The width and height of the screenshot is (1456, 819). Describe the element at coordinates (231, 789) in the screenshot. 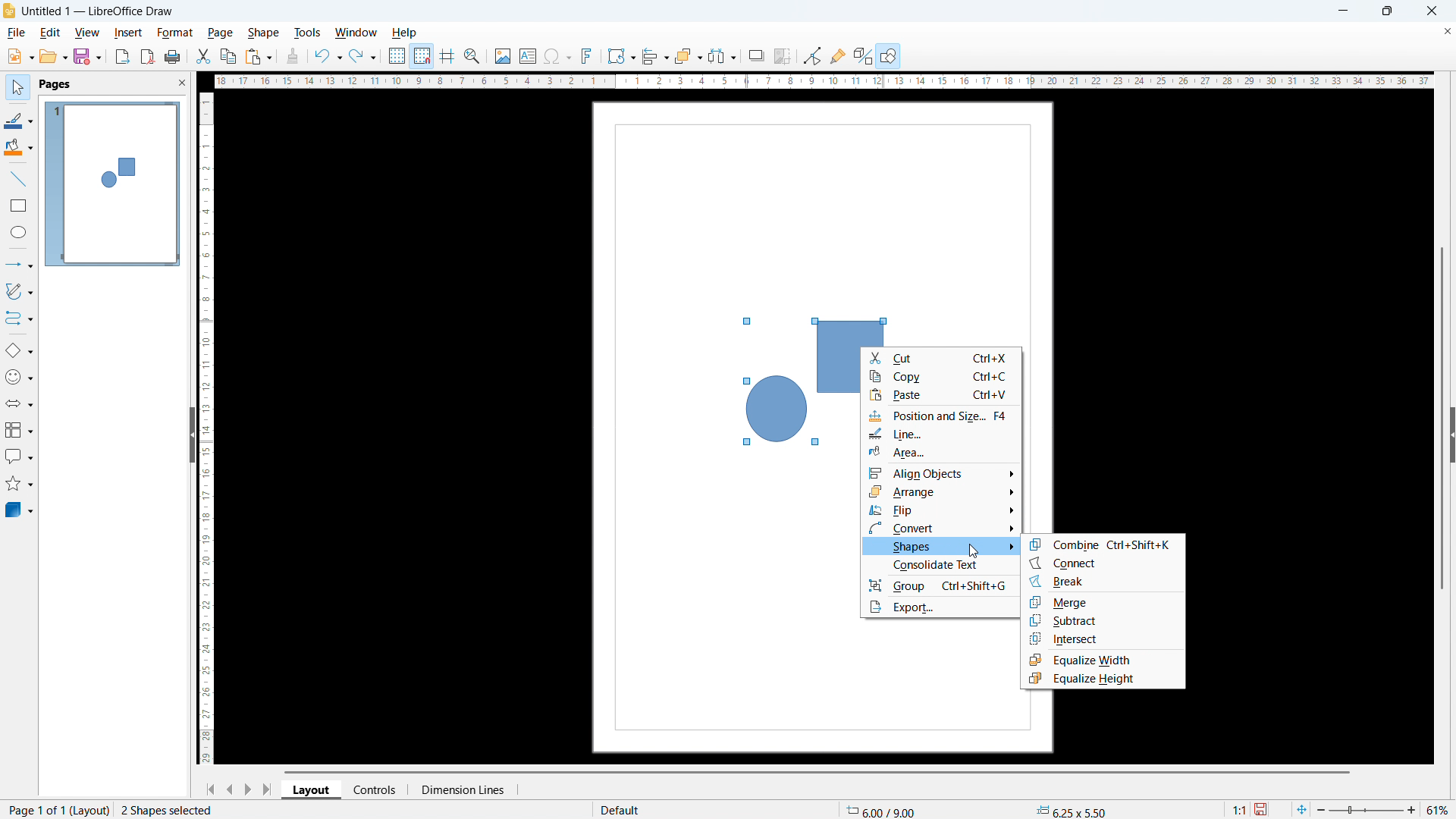

I see `previous page` at that location.